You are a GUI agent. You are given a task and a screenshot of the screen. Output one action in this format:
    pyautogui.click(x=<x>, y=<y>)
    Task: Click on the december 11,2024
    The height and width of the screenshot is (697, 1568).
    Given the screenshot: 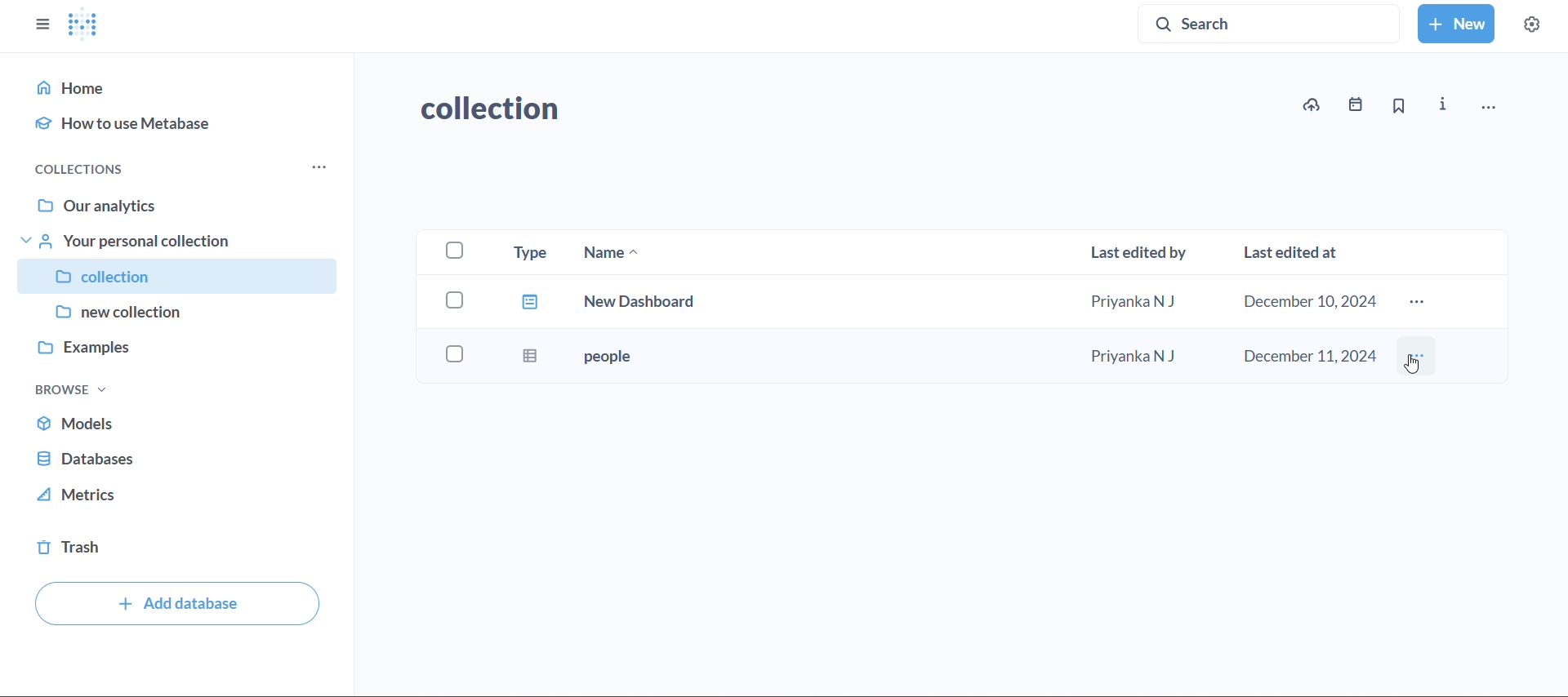 What is the action you would take?
    pyautogui.click(x=1306, y=356)
    